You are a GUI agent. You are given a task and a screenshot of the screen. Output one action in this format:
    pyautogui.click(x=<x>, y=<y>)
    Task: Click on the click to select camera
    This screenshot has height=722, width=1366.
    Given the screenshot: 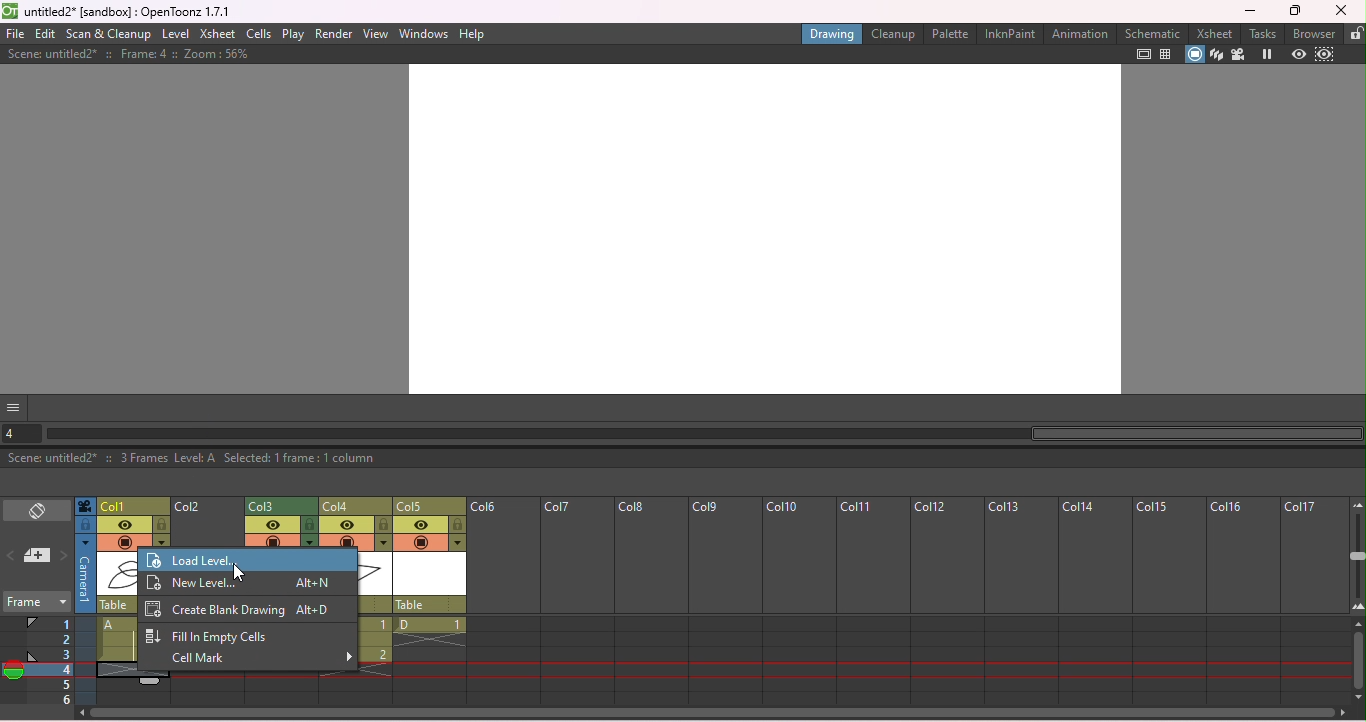 What is the action you would take?
    pyautogui.click(x=85, y=525)
    